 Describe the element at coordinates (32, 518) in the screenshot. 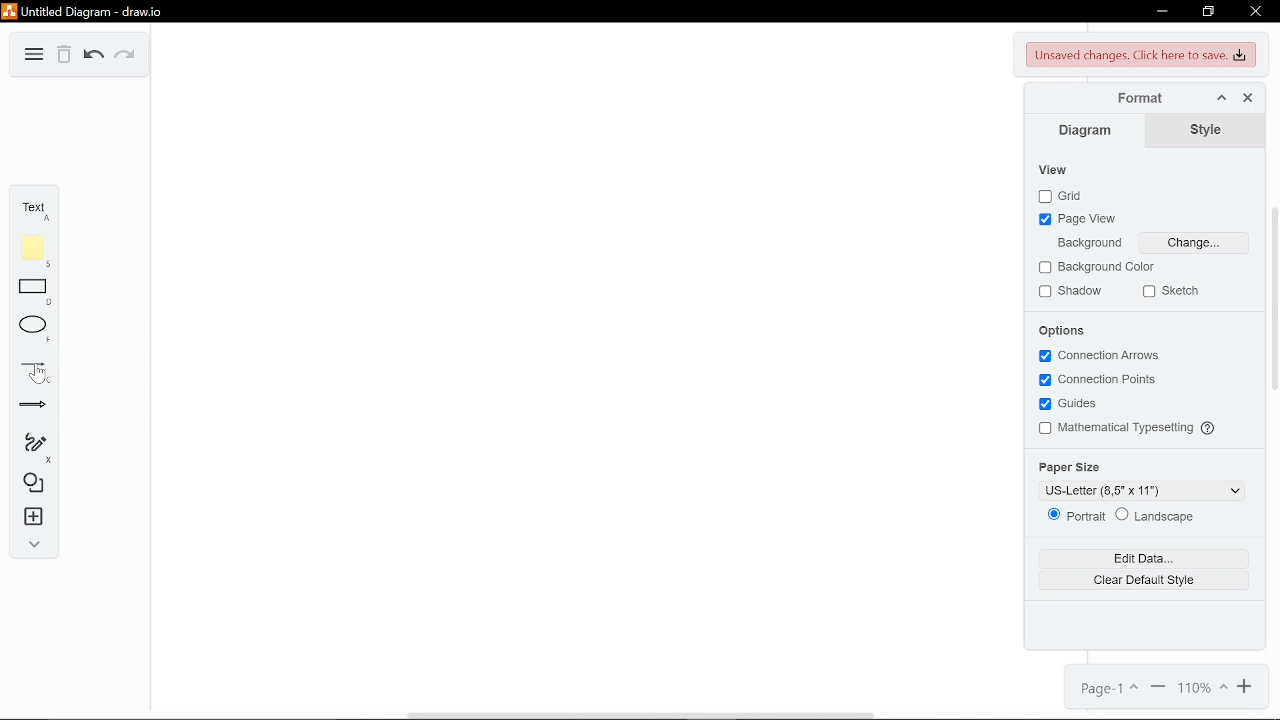

I see `Insert` at that location.